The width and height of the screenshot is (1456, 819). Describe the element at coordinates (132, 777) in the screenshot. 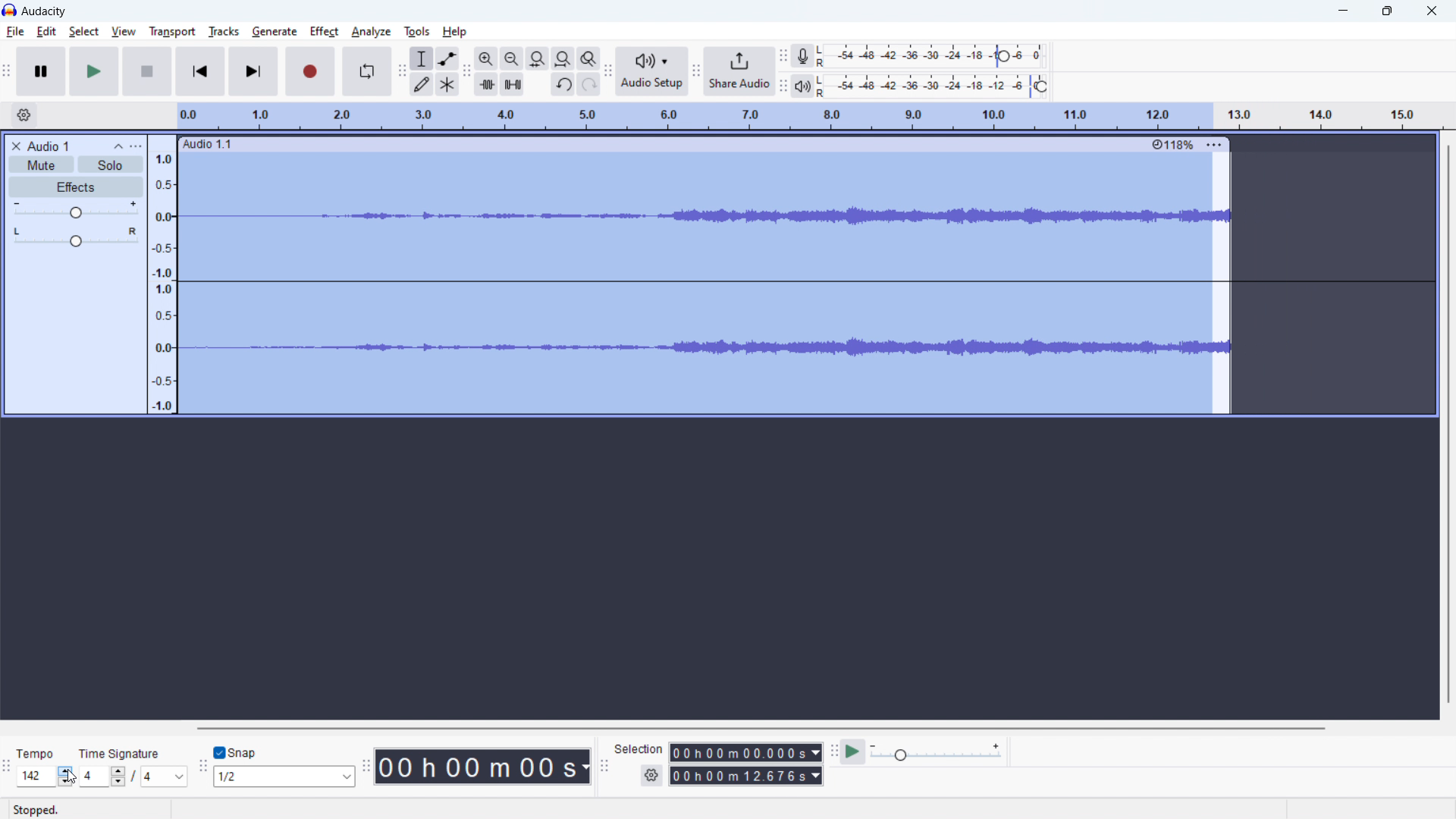

I see `set time signature` at that location.